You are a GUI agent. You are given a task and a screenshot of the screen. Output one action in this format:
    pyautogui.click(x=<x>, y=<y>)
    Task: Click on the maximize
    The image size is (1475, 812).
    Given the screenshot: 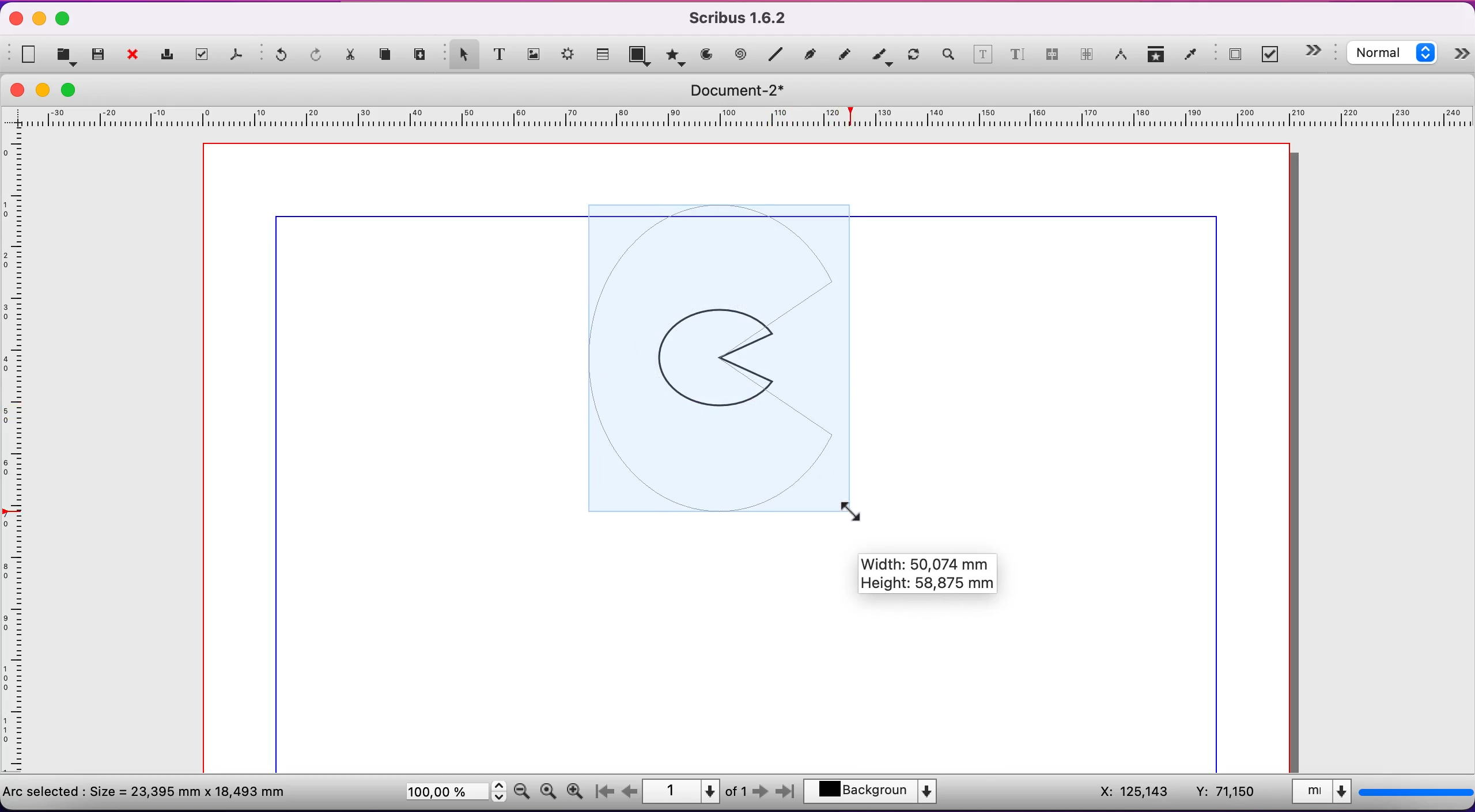 What is the action you would take?
    pyautogui.click(x=75, y=89)
    